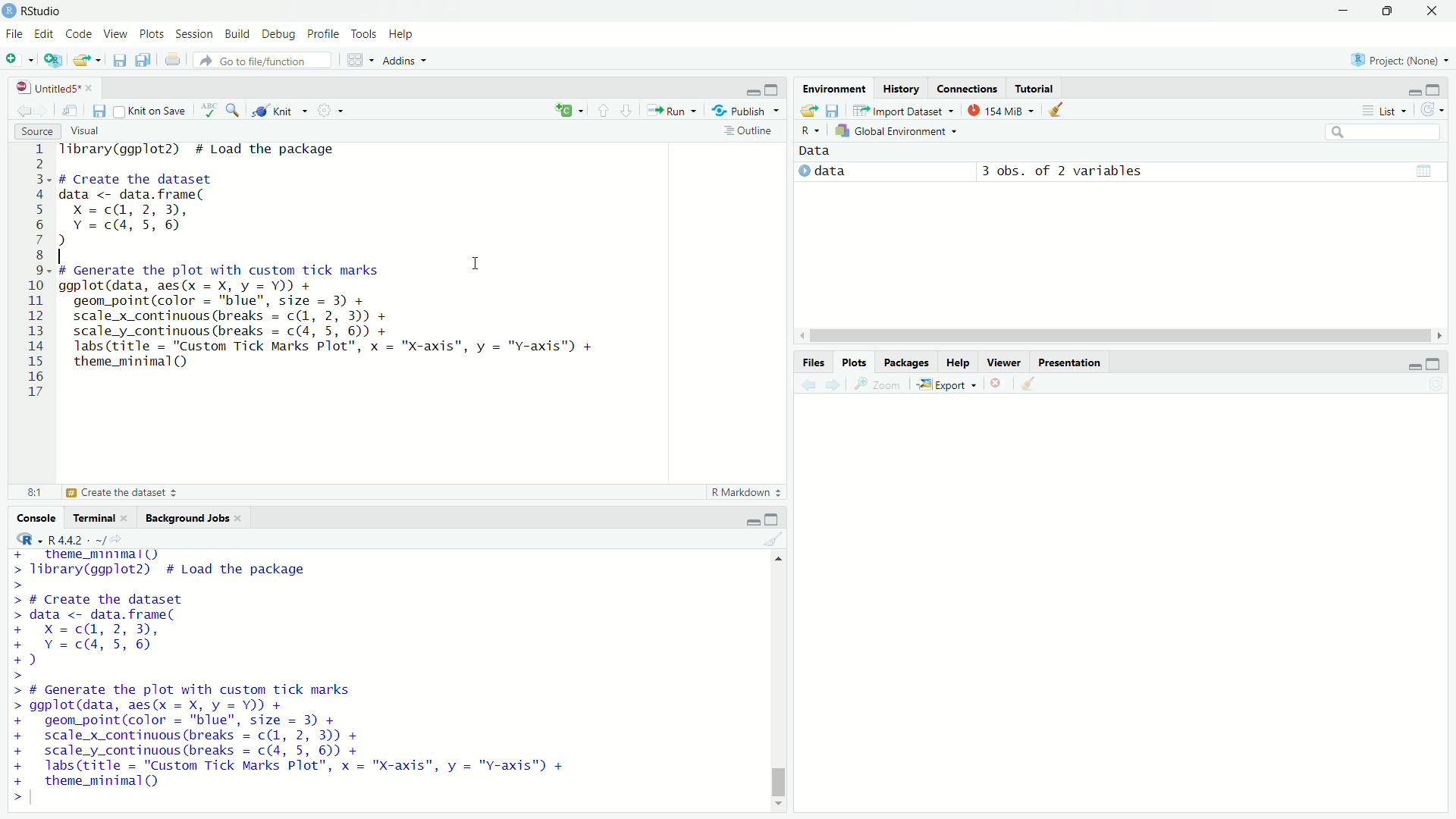  Describe the element at coordinates (80, 35) in the screenshot. I see `code` at that location.